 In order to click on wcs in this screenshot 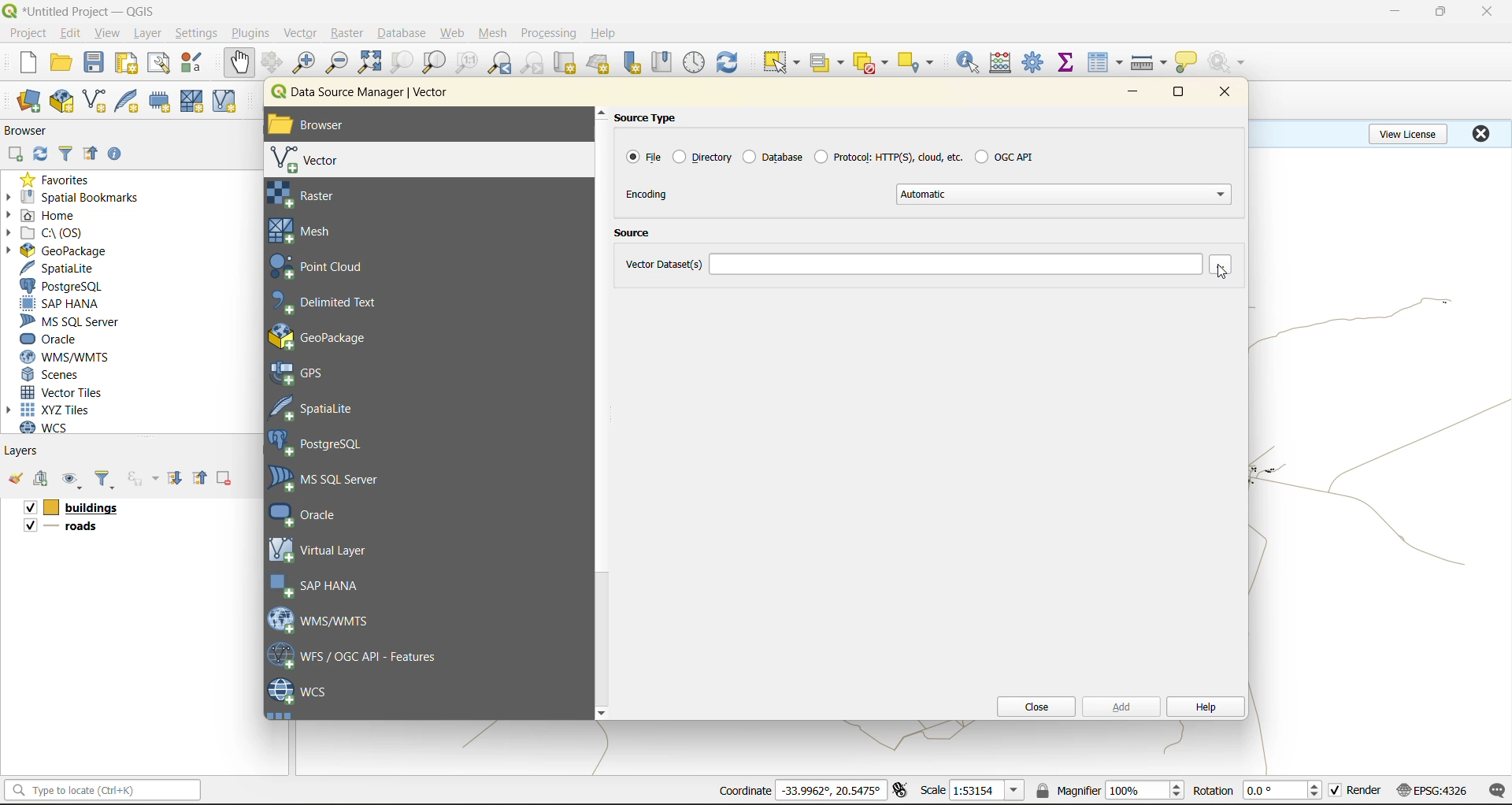, I will do `click(53, 428)`.